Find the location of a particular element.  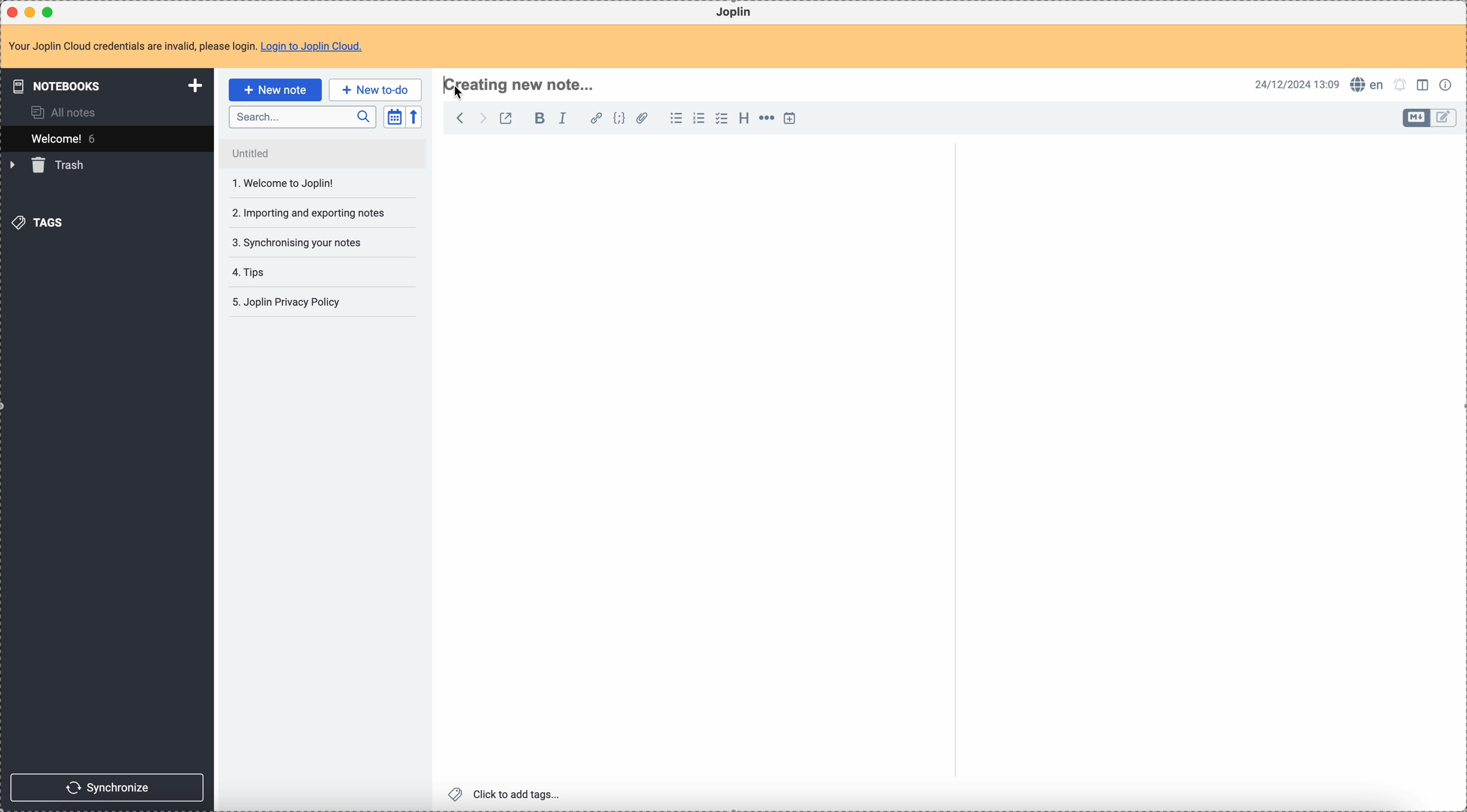

minimize is located at coordinates (32, 13).